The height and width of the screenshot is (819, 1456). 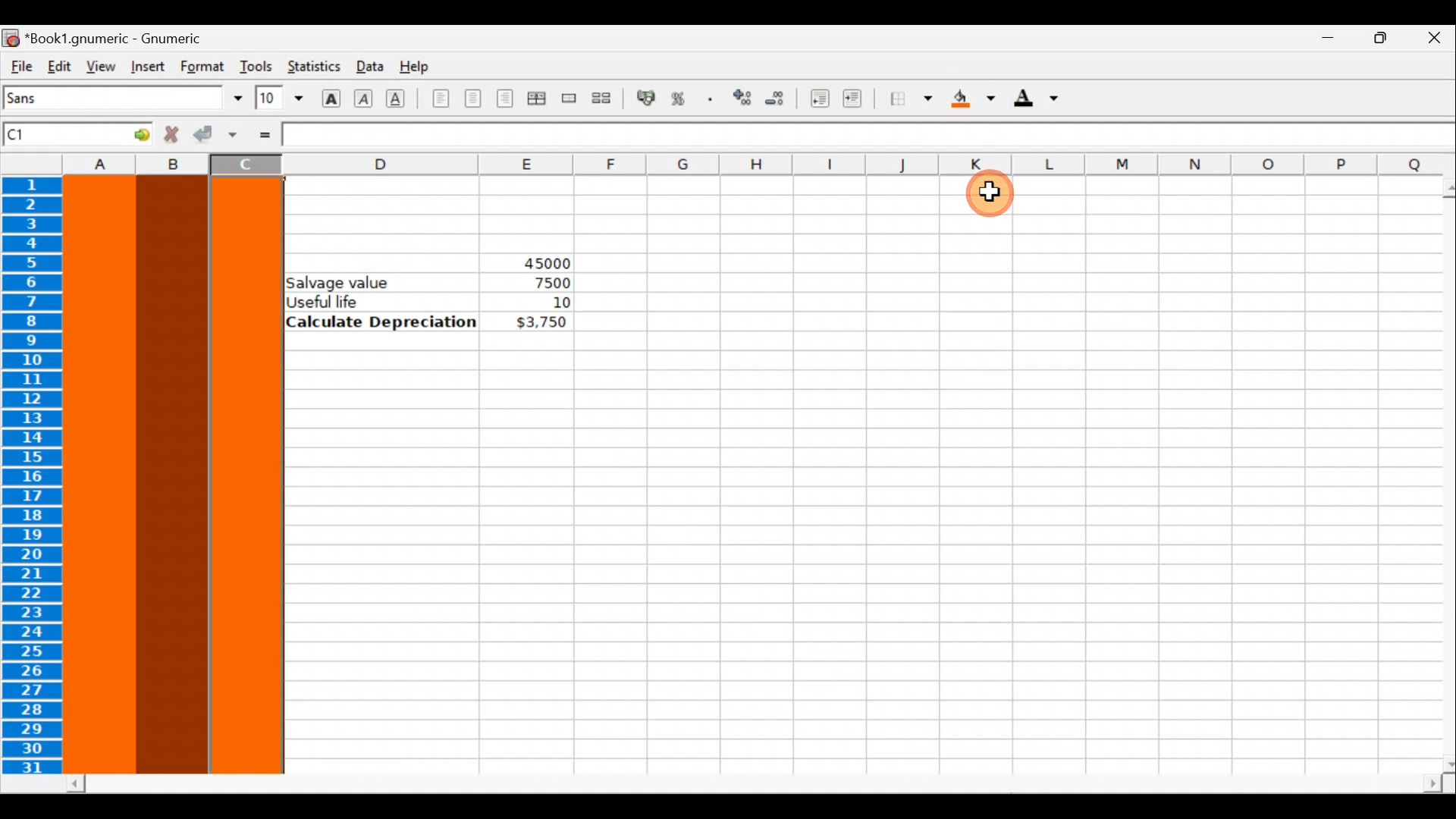 What do you see at coordinates (997, 197) in the screenshot?
I see `Cursor` at bounding box center [997, 197].